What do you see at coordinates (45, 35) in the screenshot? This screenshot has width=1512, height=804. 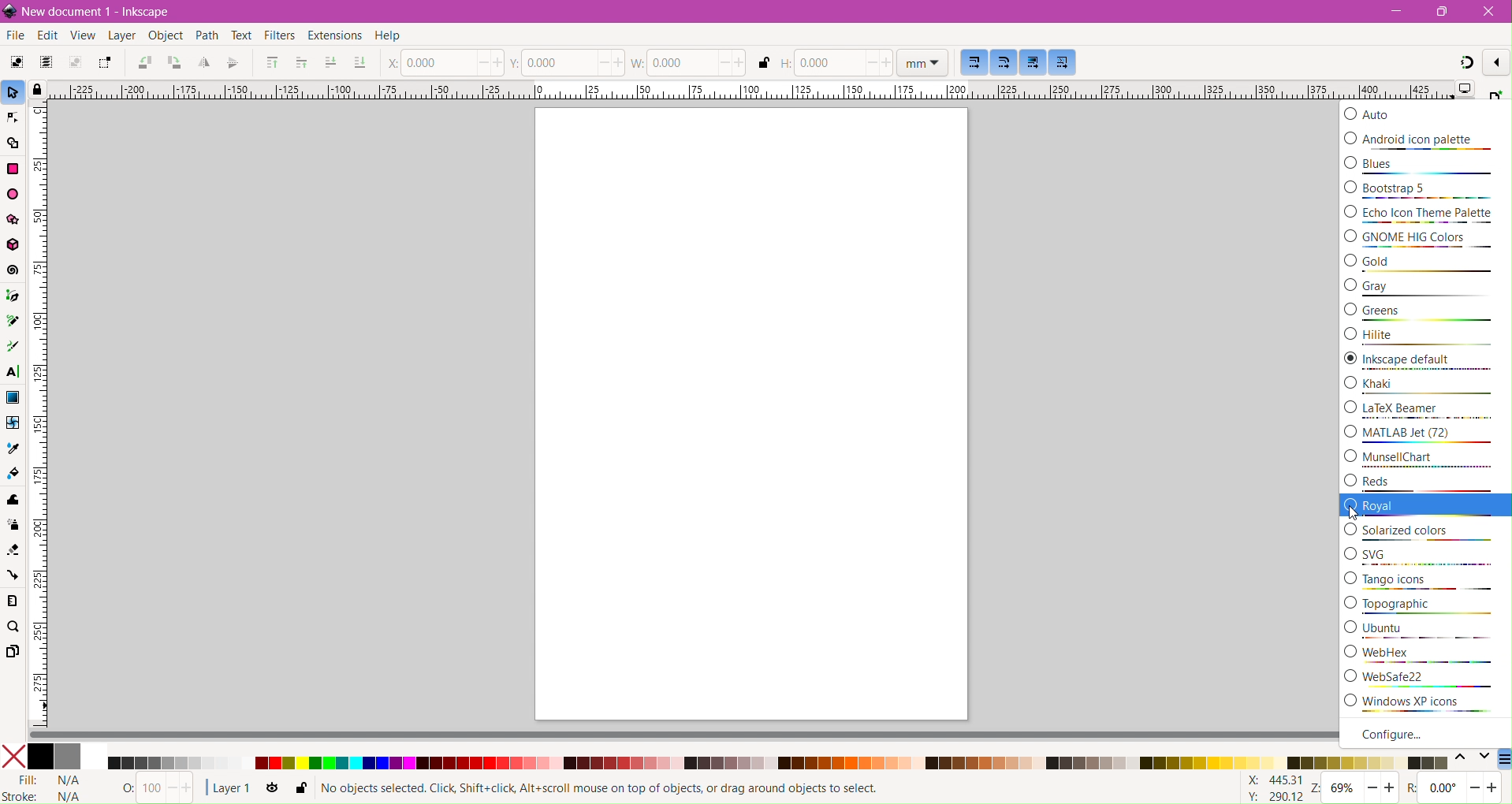 I see `Edit` at bounding box center [45, 35].